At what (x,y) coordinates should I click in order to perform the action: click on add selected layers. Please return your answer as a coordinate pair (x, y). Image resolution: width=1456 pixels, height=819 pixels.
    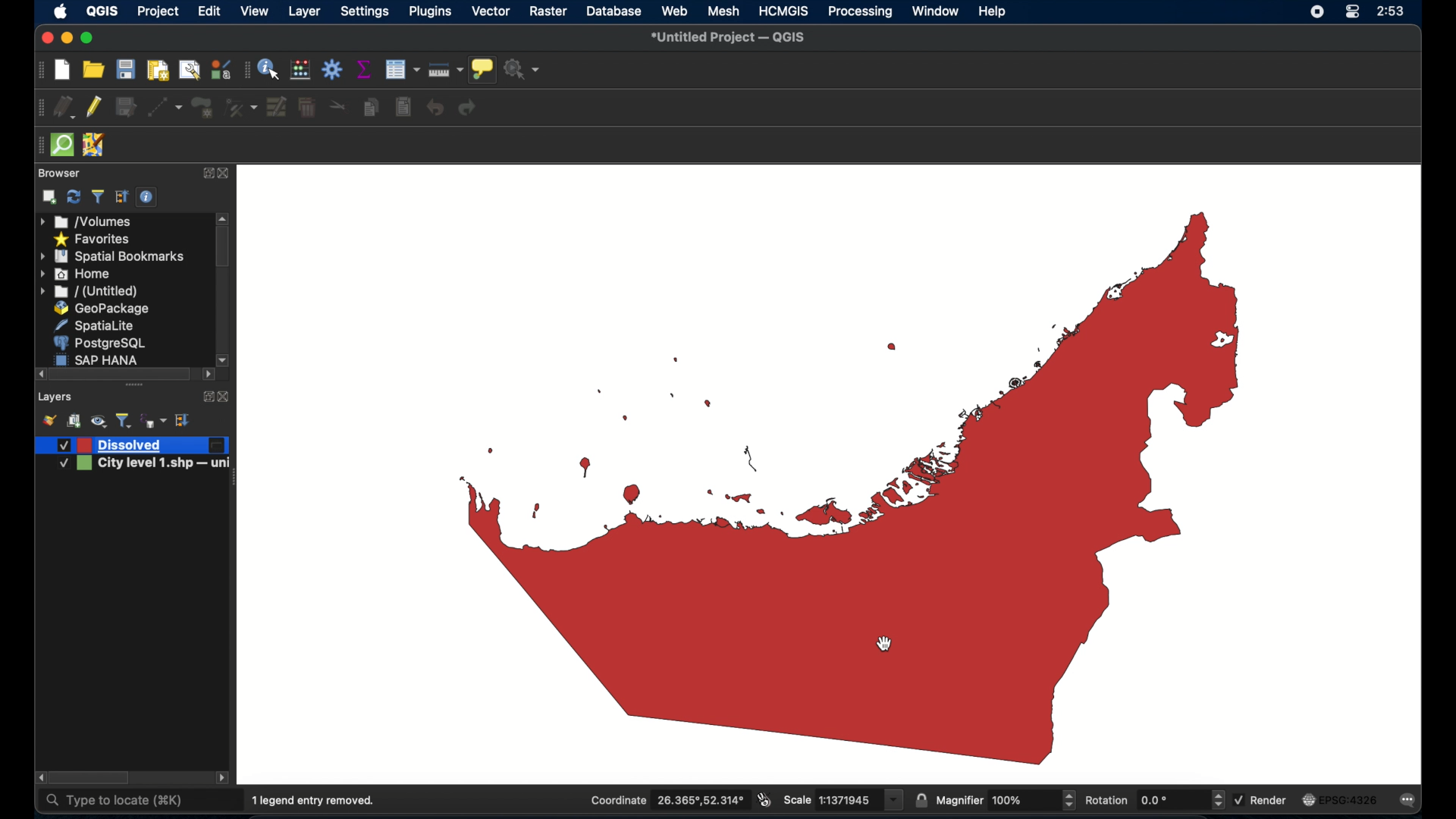
    Looking at the image, I should click on (49, 197).